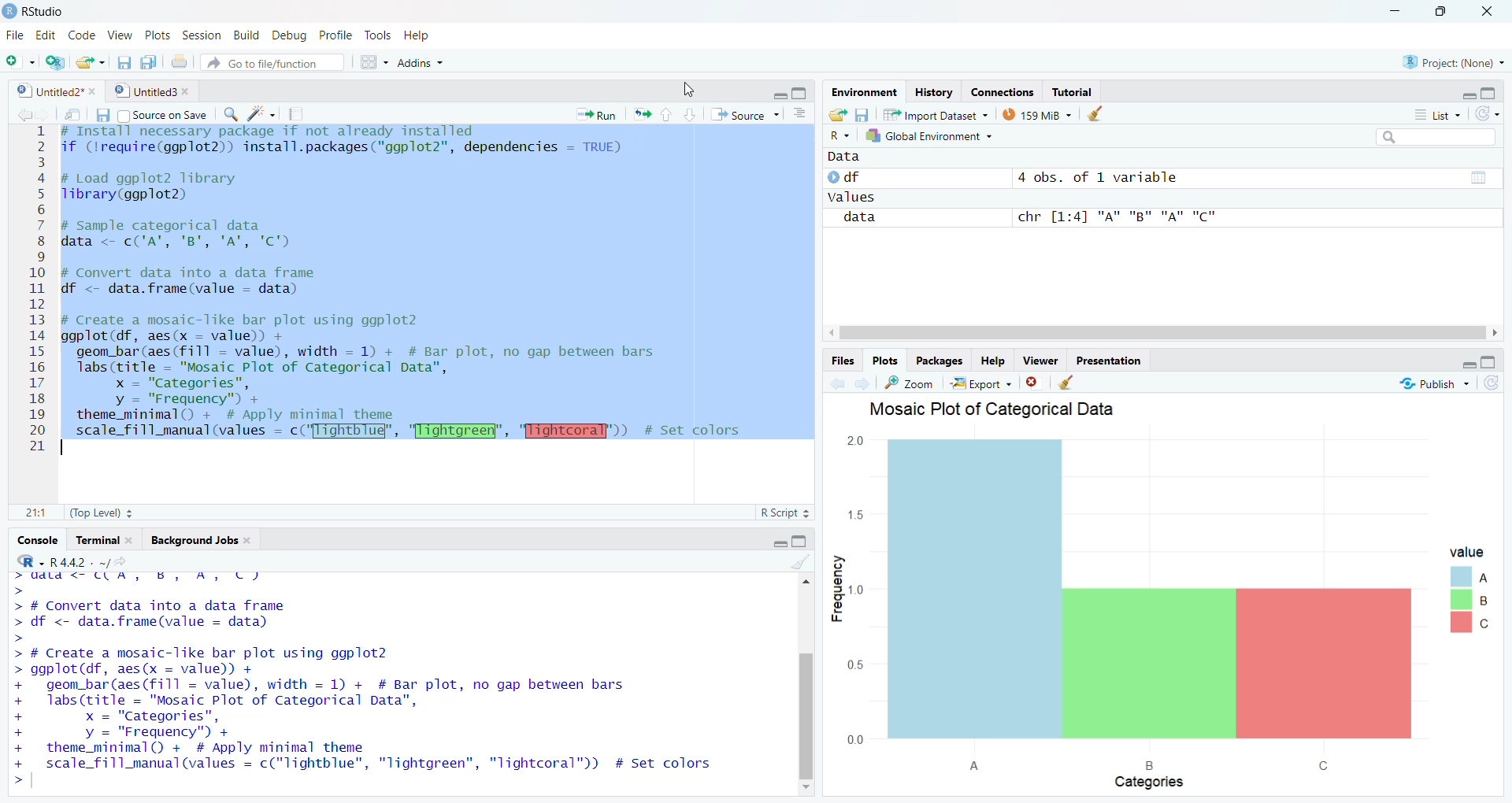 The height and width of the screenshot is (803, 1512). What do you see at coordinates (802, 113) in the screenshot?
I see `Show document Outline` at bounding box center [802, 113].